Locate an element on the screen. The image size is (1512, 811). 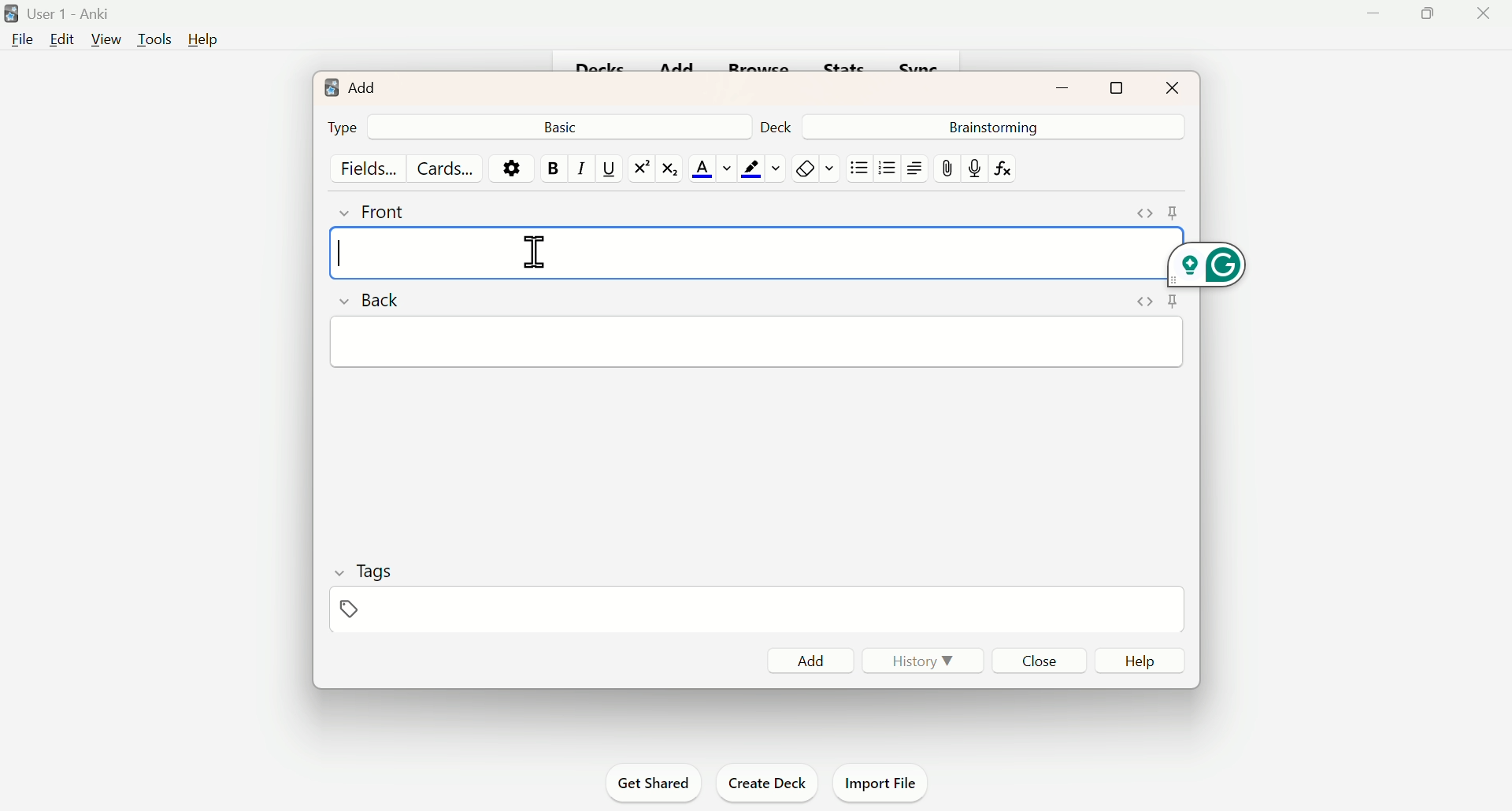
 is located at coordinates (1488, 16).